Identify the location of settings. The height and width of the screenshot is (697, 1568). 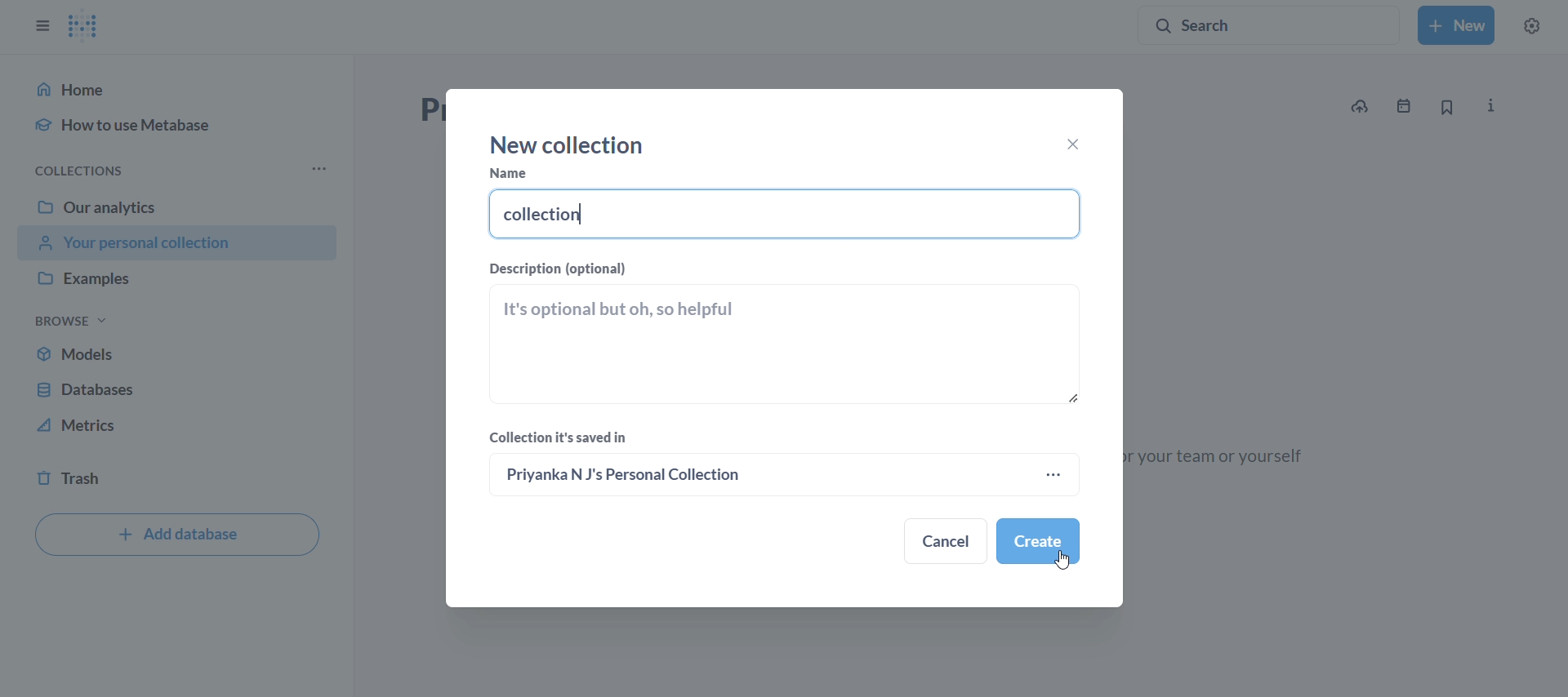
(1541, 23).